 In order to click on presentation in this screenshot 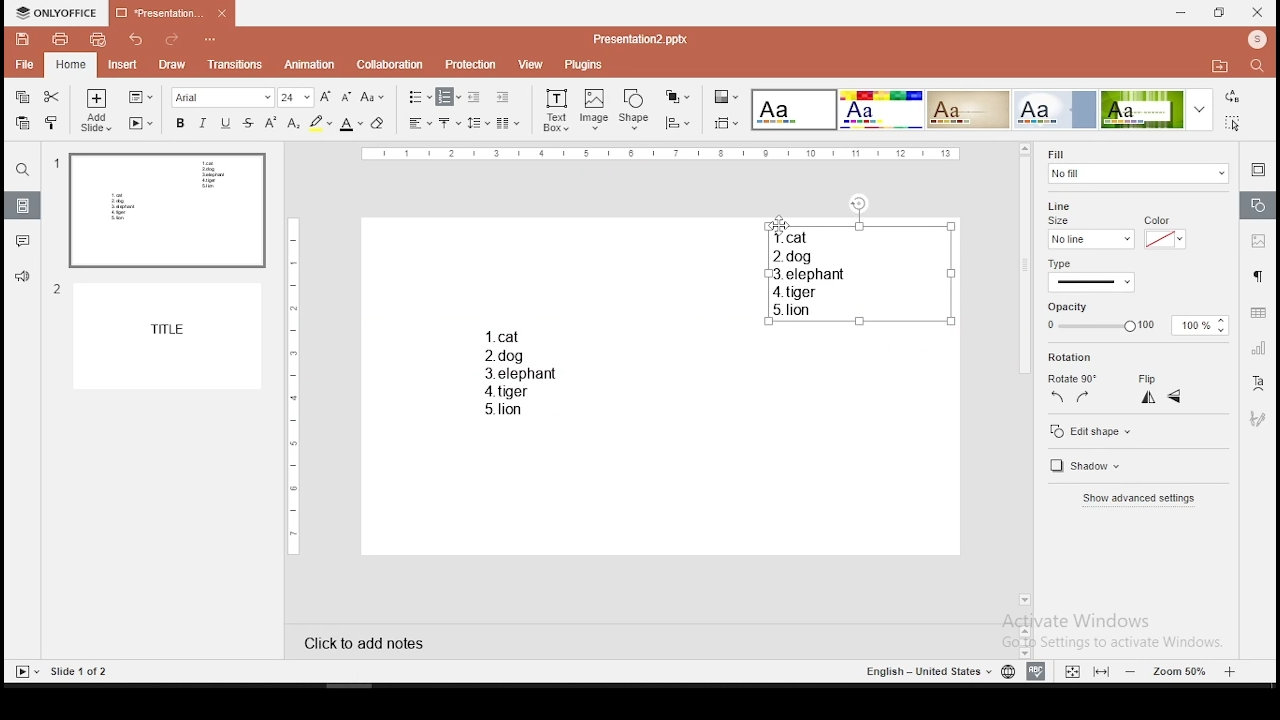, I will do `click(172, 14)`.